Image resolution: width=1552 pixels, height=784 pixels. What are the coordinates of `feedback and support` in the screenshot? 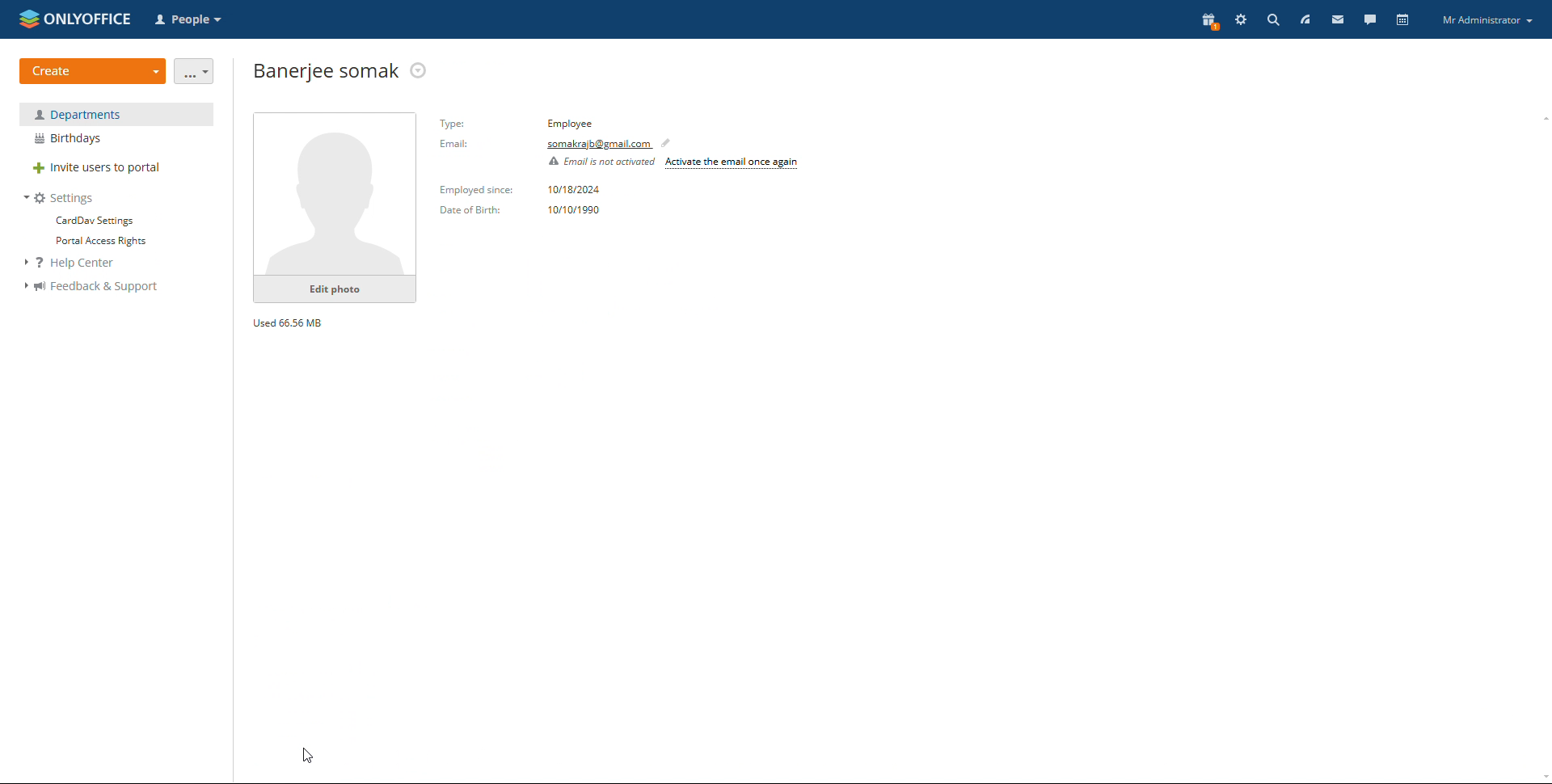 It's located at (91, 287).